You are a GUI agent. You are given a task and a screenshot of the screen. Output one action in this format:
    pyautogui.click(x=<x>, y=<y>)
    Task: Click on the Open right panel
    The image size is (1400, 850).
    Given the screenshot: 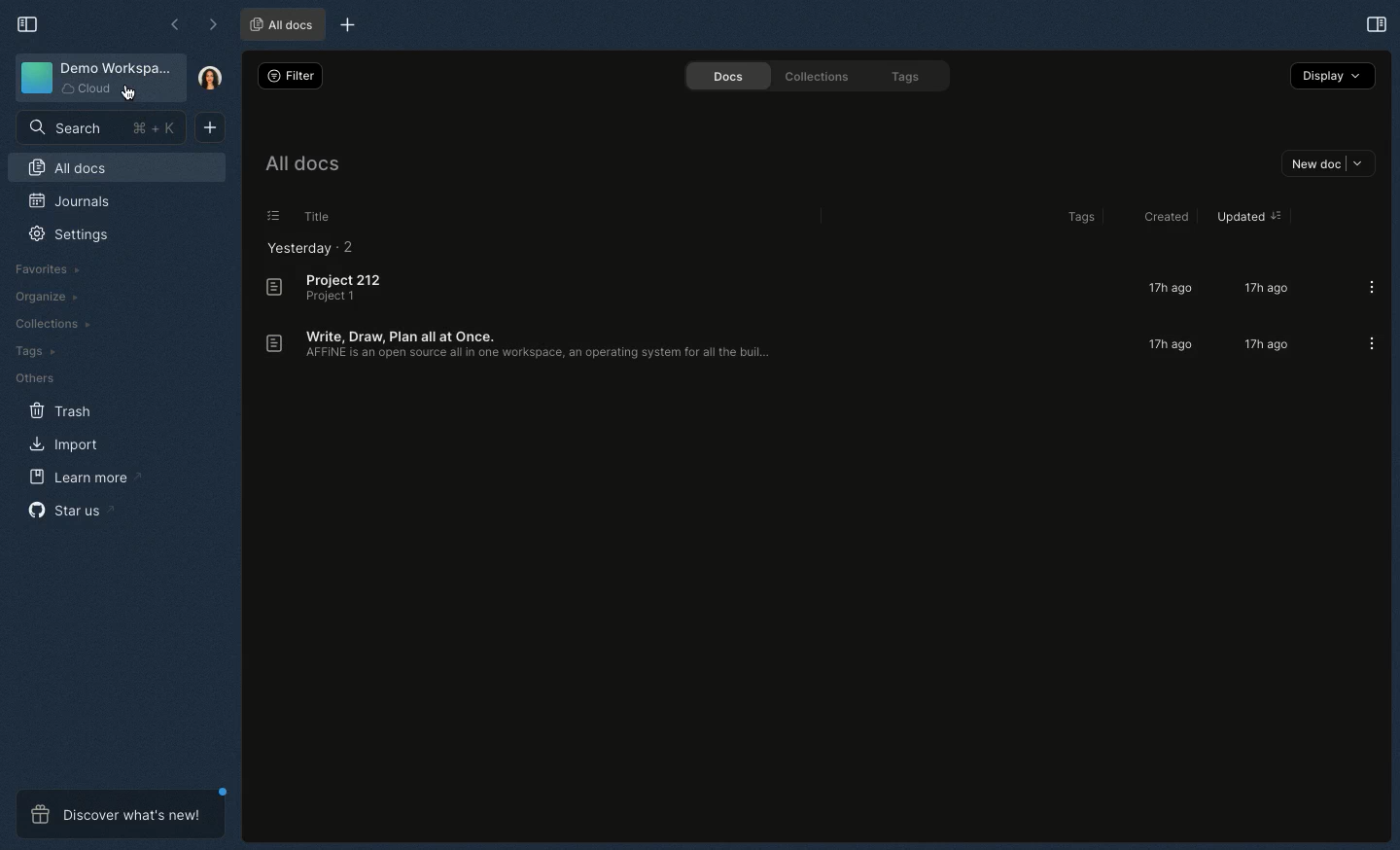 What is the action you would take?
    pyautogui.click(x=1375, y=24)
    